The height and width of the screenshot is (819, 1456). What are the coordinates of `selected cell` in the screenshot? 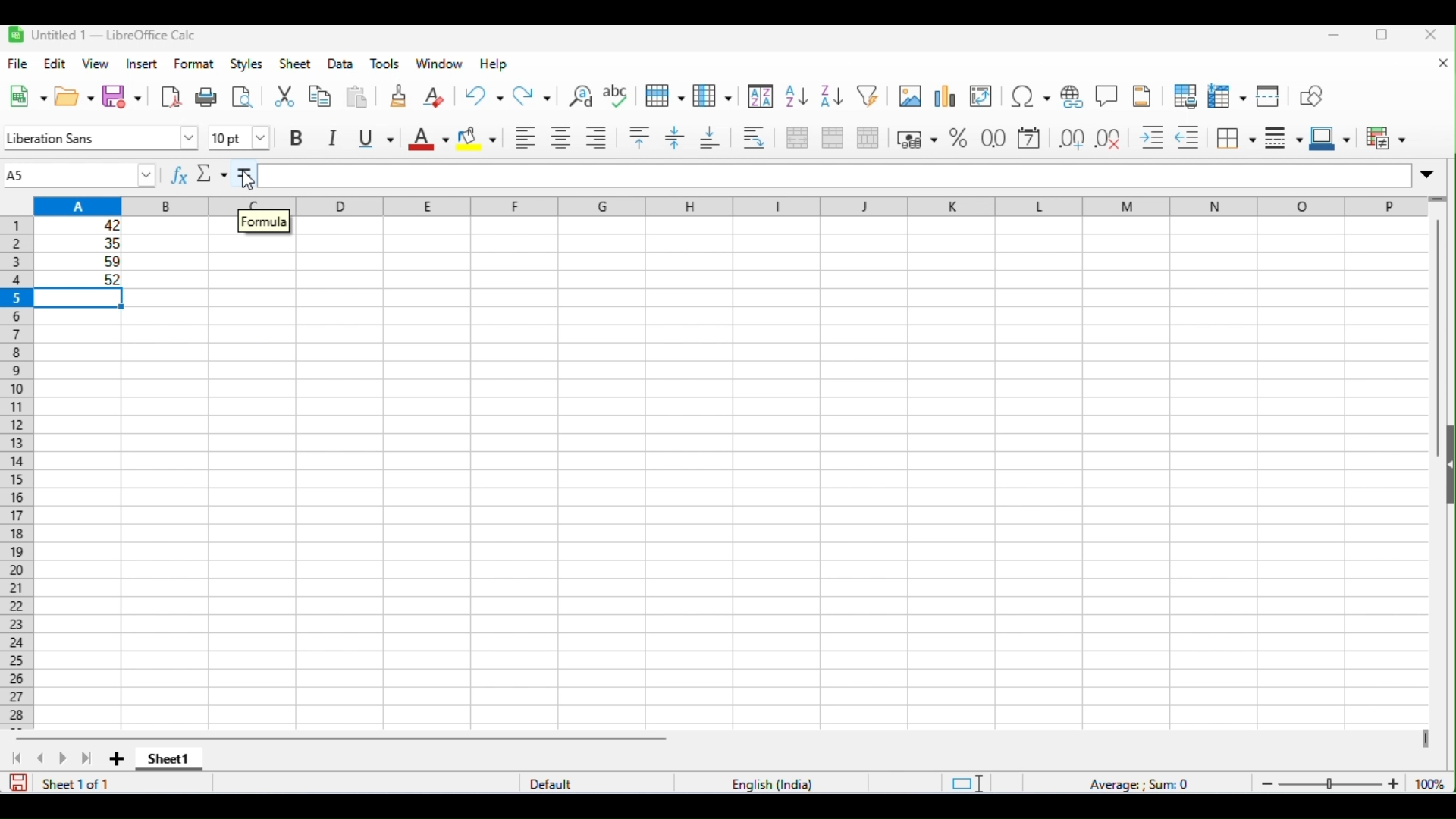 It's located at (79, 298).